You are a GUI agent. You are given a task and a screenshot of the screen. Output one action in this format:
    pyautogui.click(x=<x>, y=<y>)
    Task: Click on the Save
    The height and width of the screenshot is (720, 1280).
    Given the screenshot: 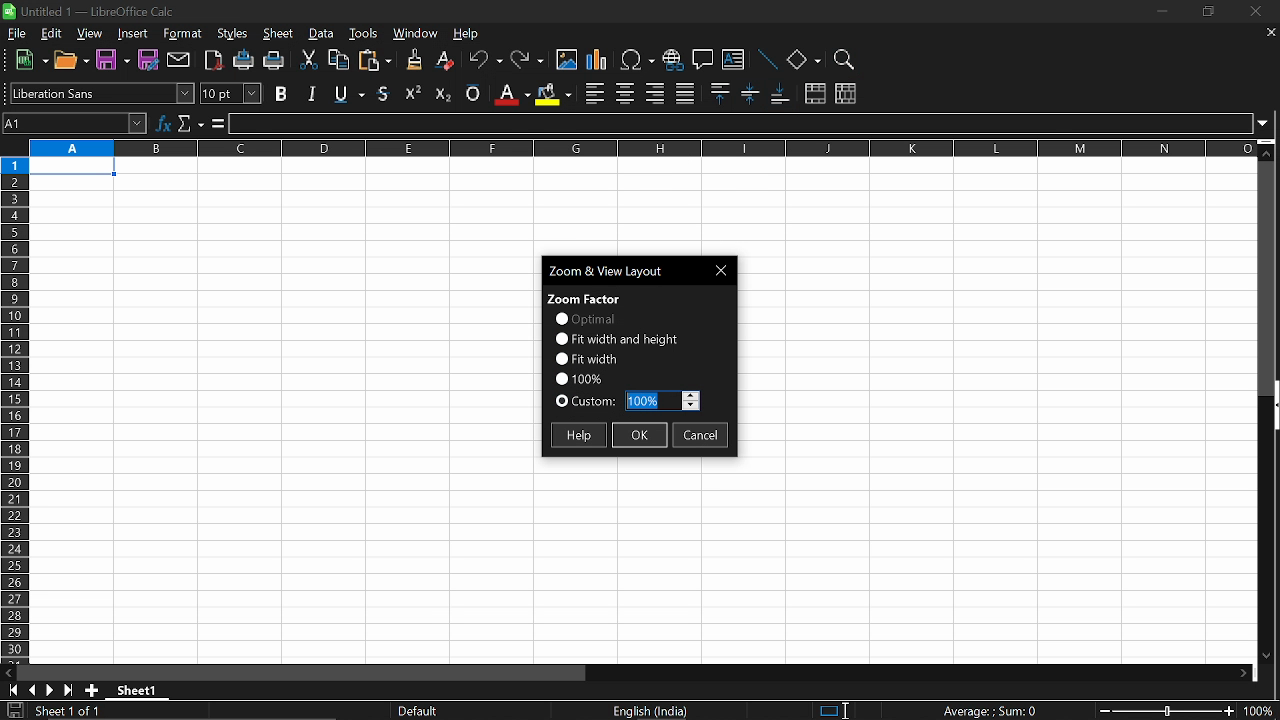 What is the action you would take?
    pyautogui.click(x=111, y=61)
    